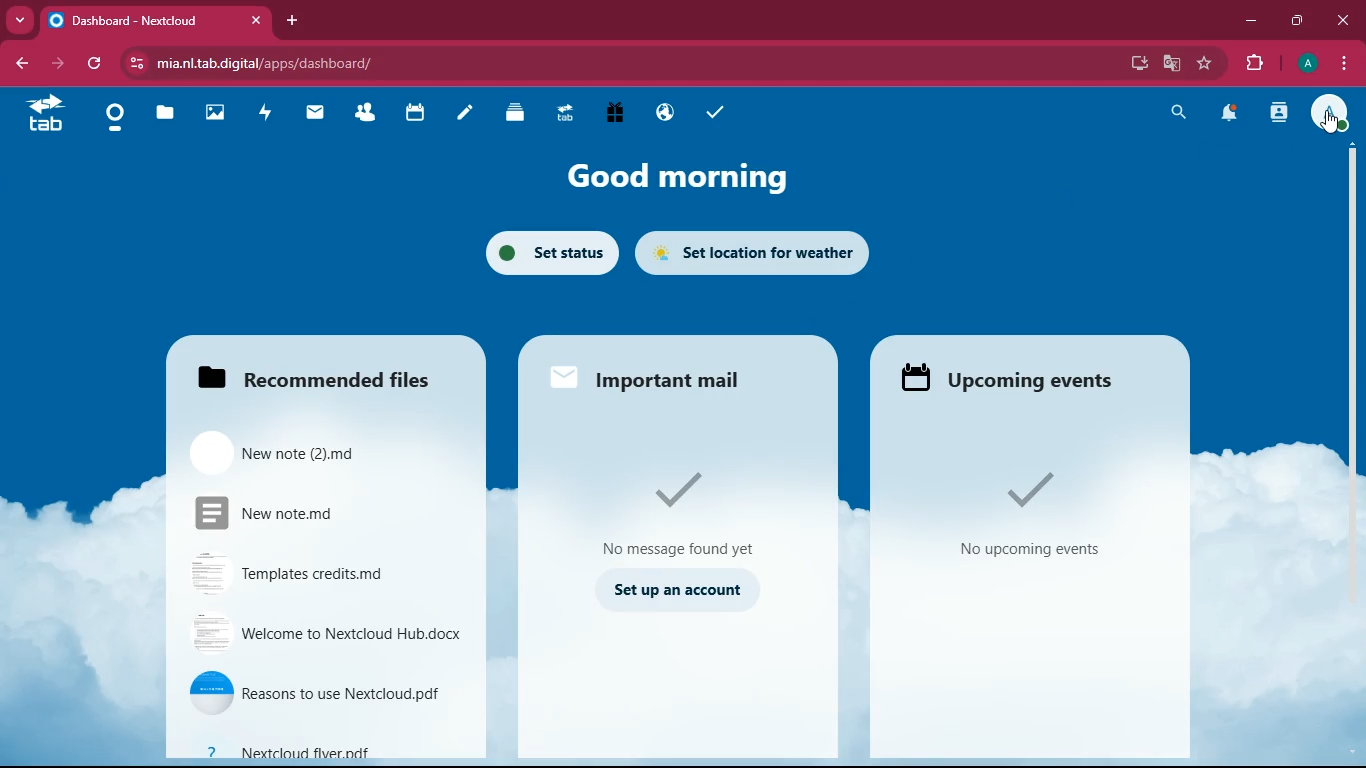 The image size is (1366, 768). I want to click on important mail, so click(663, 374).